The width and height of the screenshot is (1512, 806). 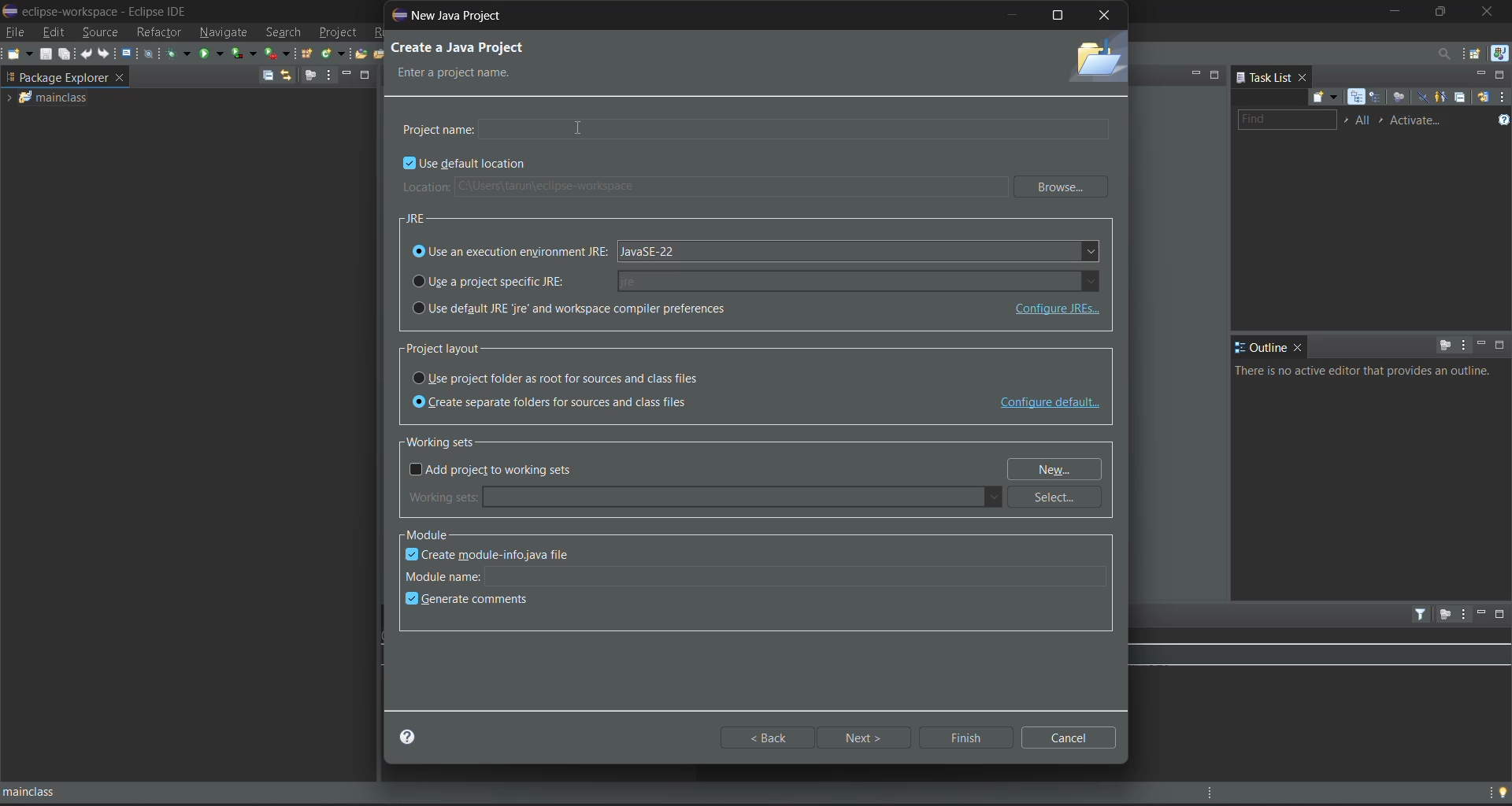 I want to click on minimize, so click(x=348, y=72).